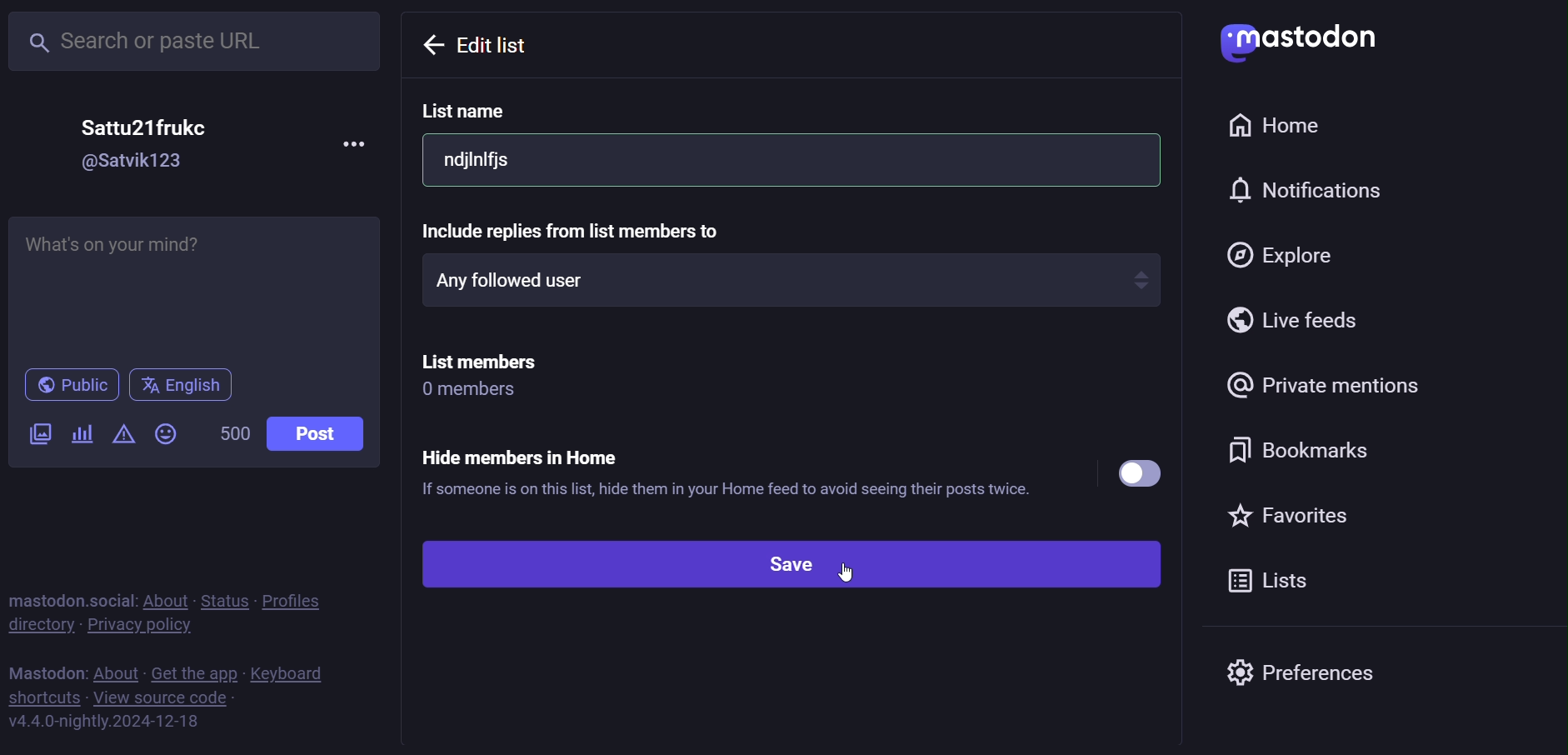 The height and width of the screenshot is (755, 1568). Describe the element at coordinates (105, 721) in the screenshot. I see `https://mastodon.social/lists#` at that location.